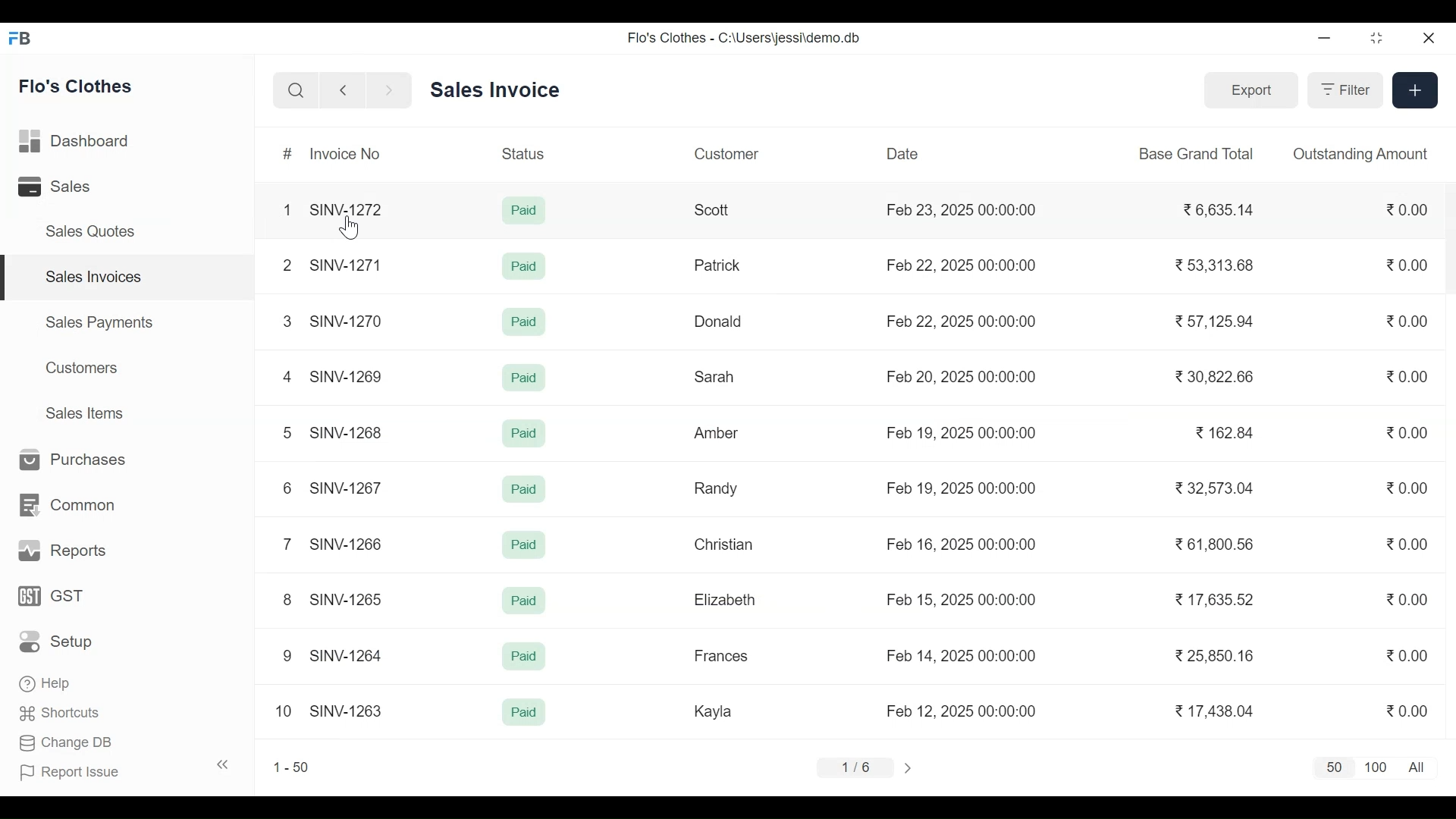 The image size is (1456, 819). What do you see at coordinates (1429, 39) in the screenshot?
I see `Close` at bounding box center [1429, 39].